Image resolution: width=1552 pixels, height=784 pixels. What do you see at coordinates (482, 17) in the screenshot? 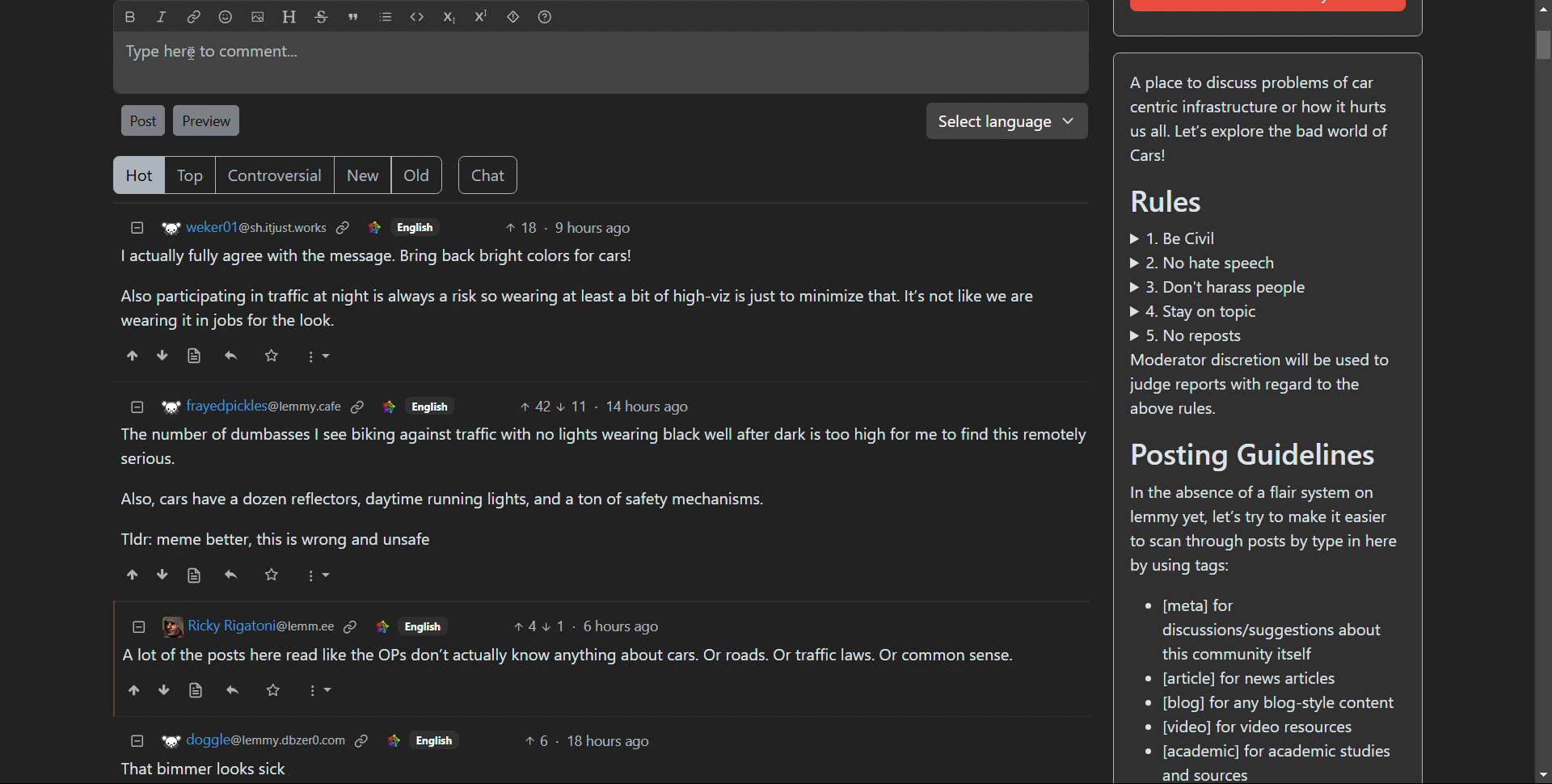
I see `superscript` at bounding box center [482, 17].